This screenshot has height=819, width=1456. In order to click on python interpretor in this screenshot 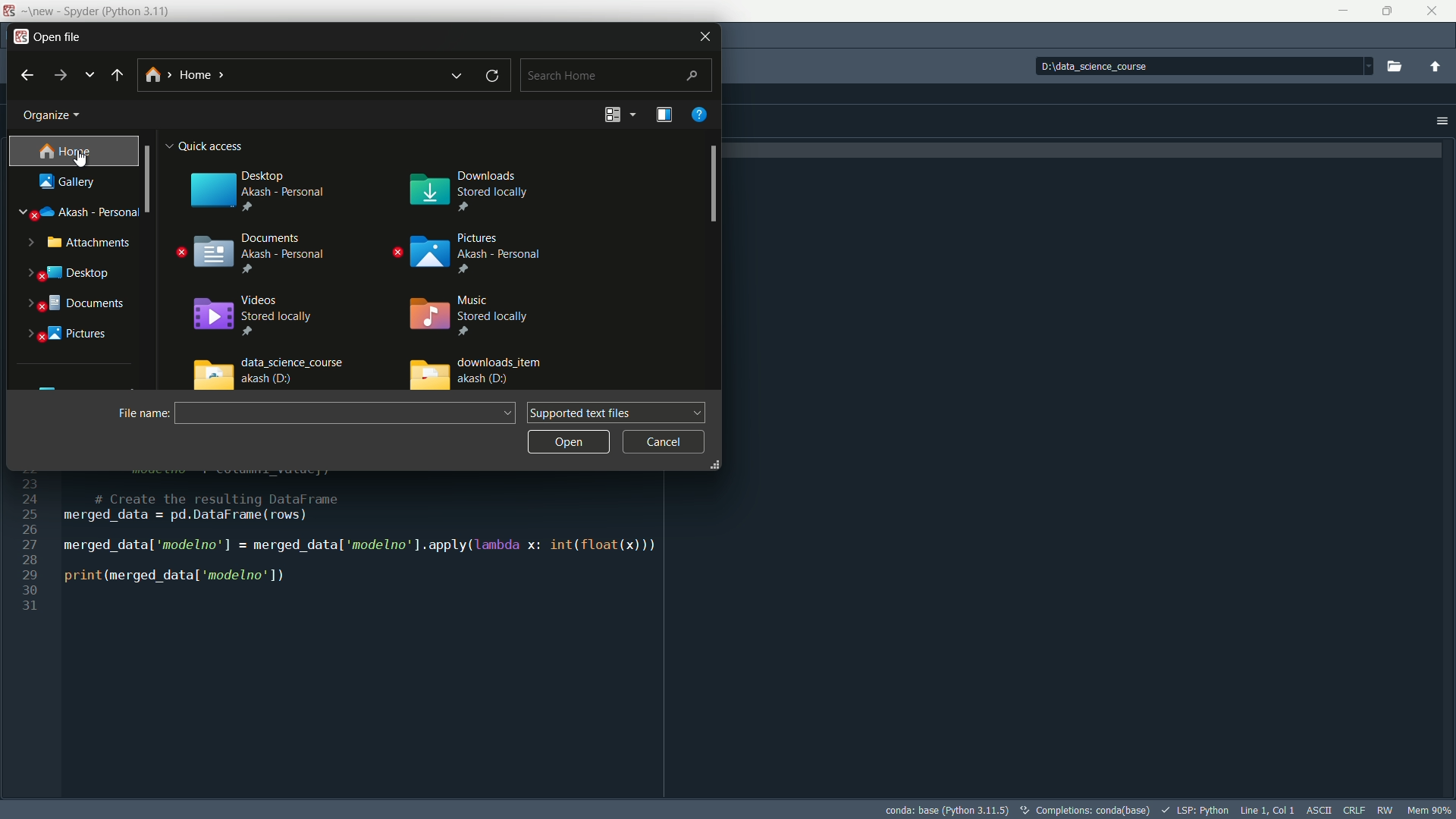, I will do `click(946, 810)`.